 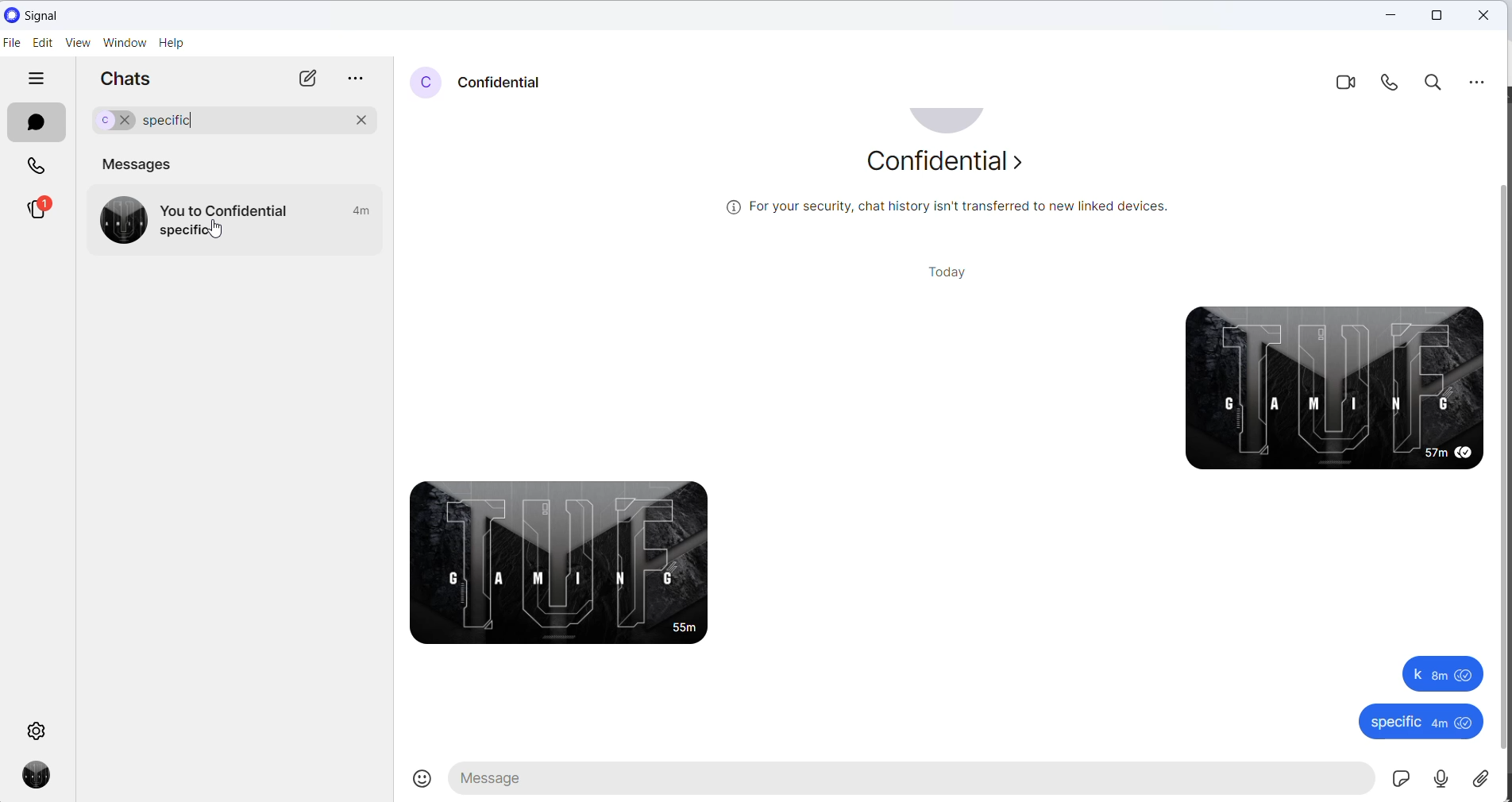 What do you see at coordinates (1398, 782) in the screenshot?
I see `sticker` at bounding box center [1398, 782].